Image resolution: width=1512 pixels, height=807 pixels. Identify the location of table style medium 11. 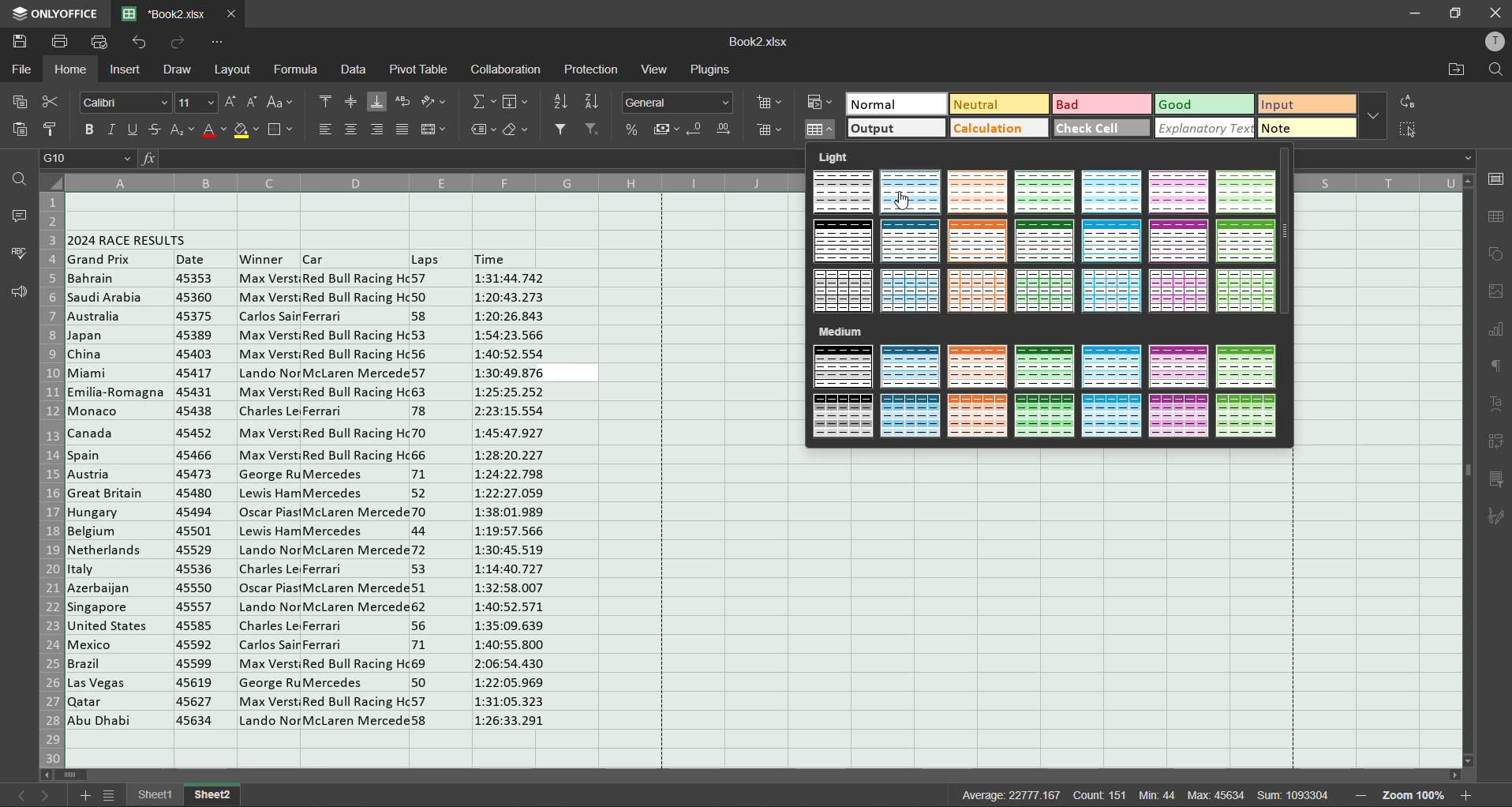
(1042, 415).